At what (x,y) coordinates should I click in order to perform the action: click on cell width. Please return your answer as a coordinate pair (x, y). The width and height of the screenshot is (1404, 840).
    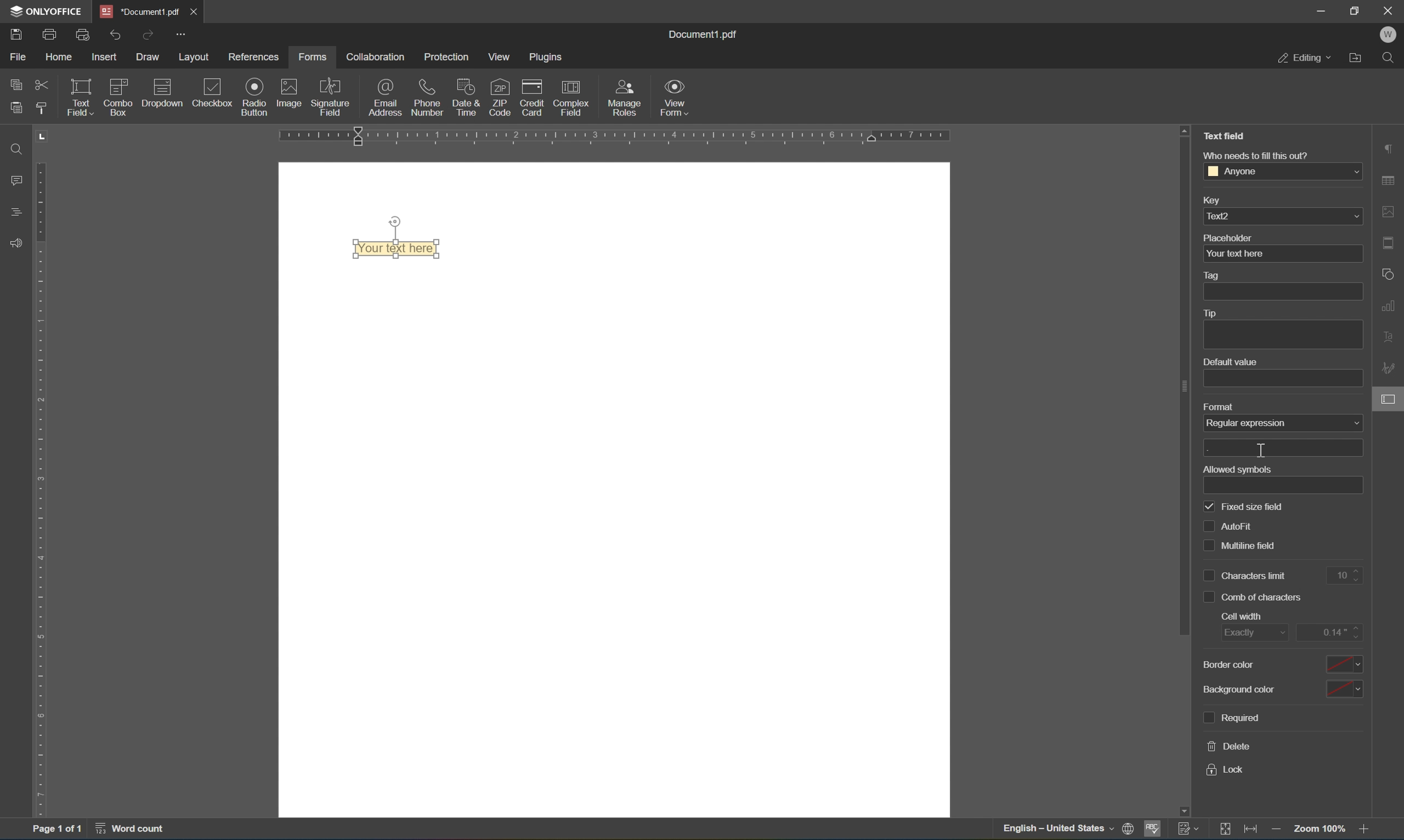
    Looking at the image, I should click on (1242, 616).